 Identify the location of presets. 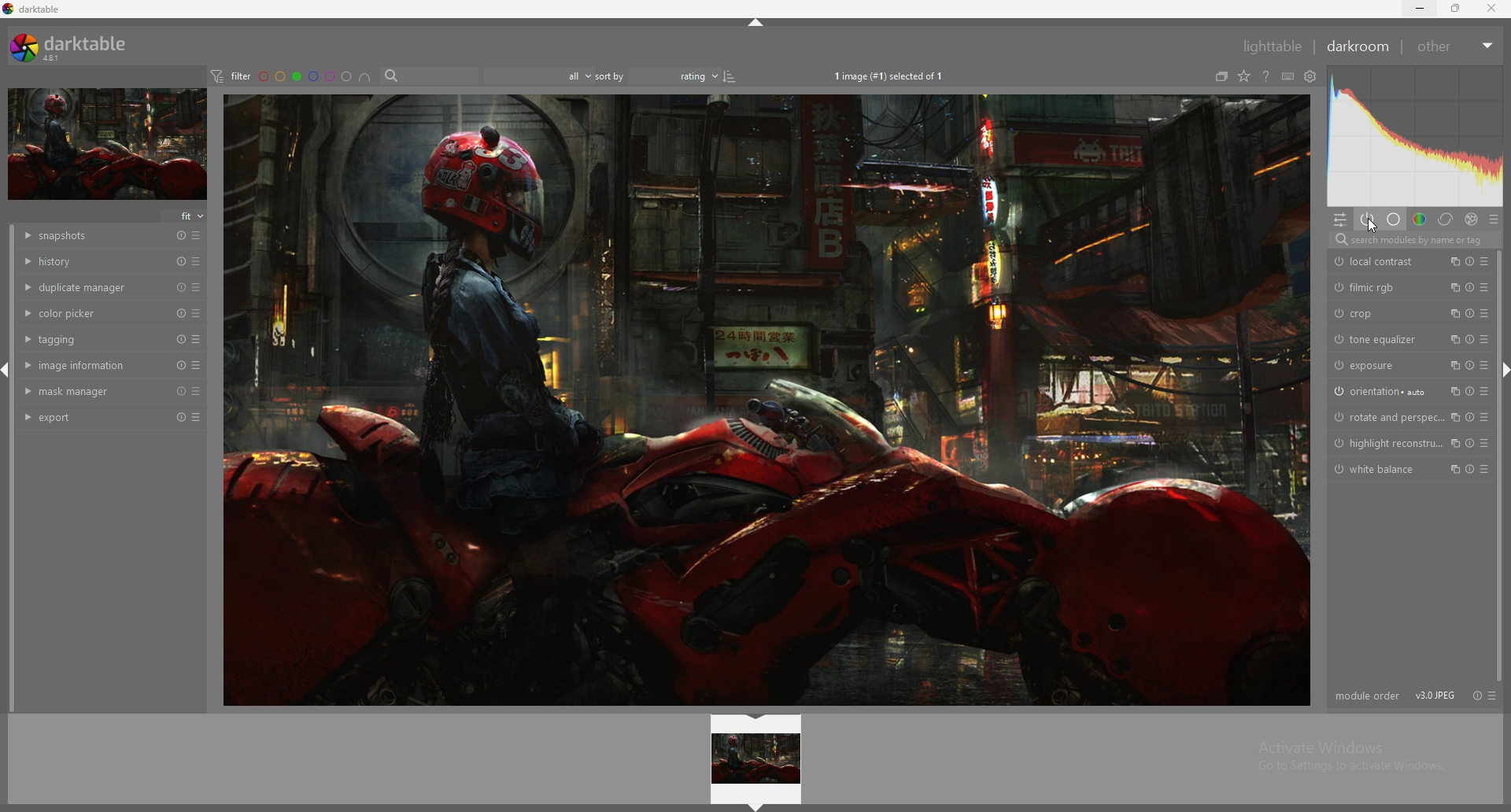
(197, 261).